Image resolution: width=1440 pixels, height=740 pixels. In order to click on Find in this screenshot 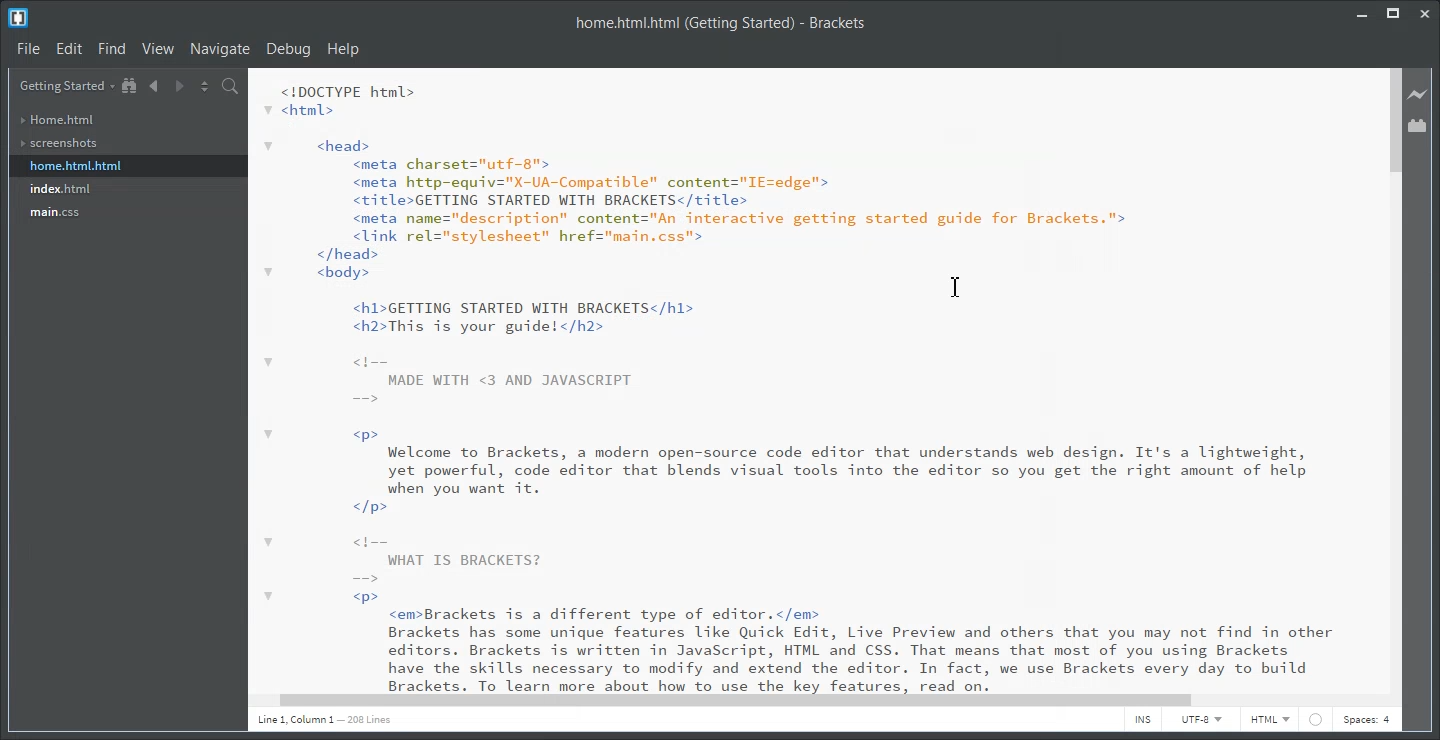, I will do `click(113, 48)`.